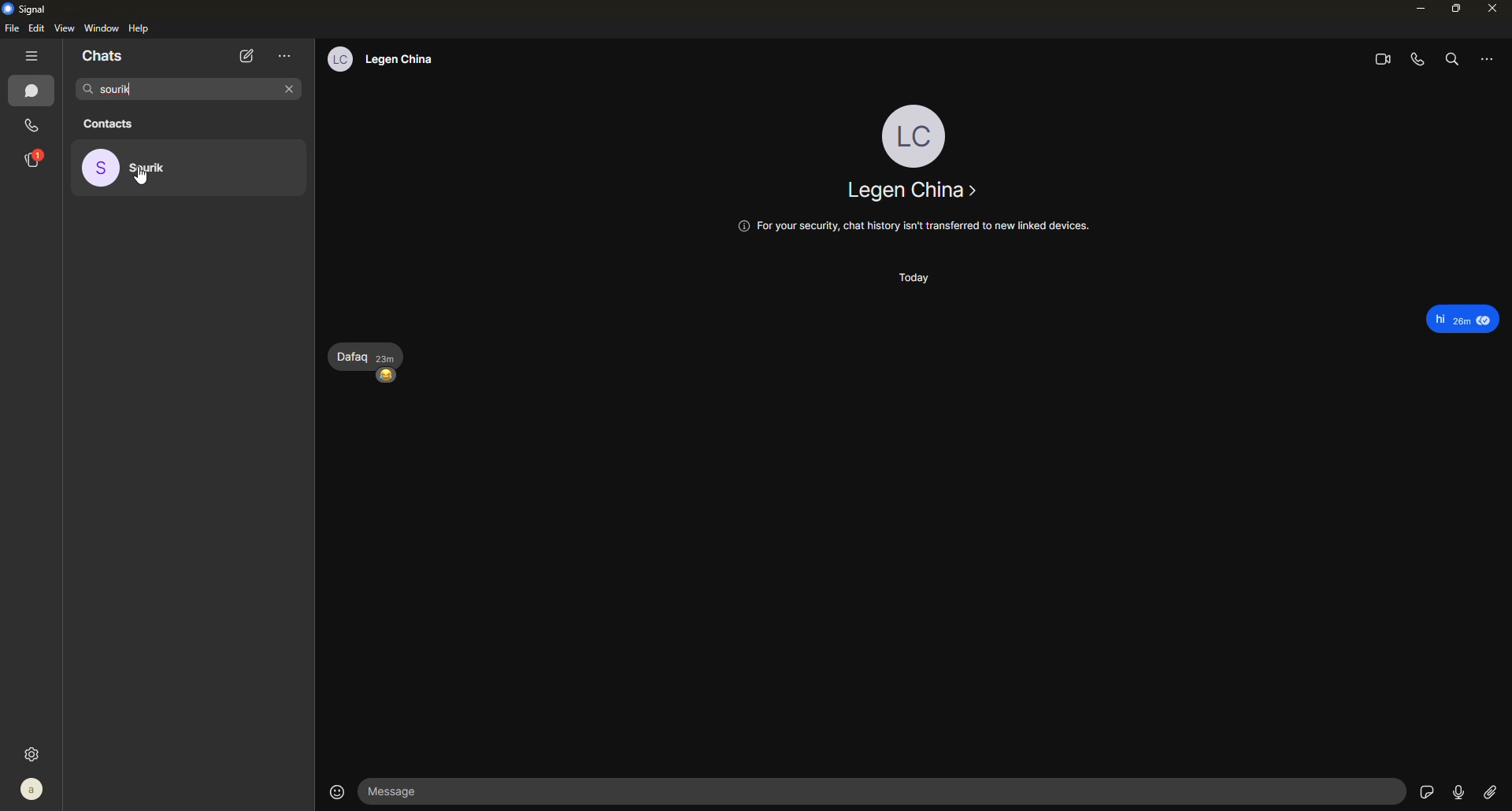 The width and height of the screenshot is (1512, 811). I want to click on message, so click(888, 792).